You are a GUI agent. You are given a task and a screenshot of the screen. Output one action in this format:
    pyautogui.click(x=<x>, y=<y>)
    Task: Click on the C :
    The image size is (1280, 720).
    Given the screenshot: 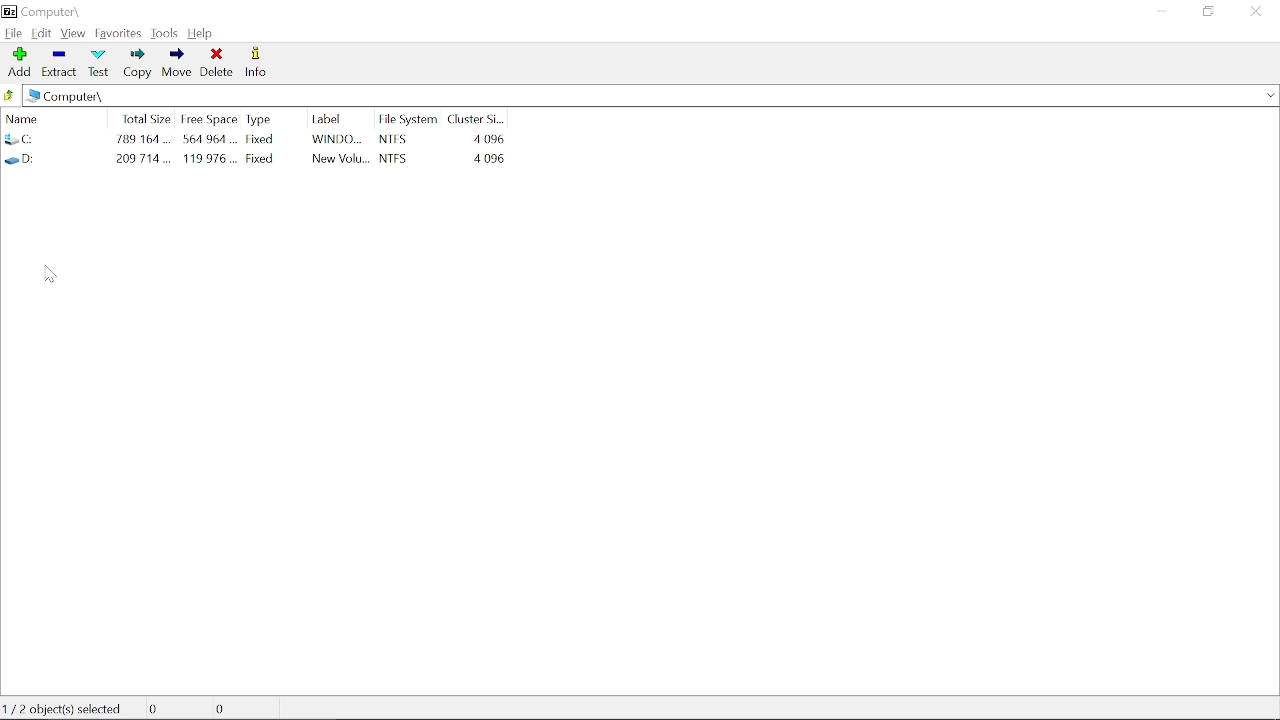 What is the action you would take?
    pyautogui.click(x=54, y=140)
    